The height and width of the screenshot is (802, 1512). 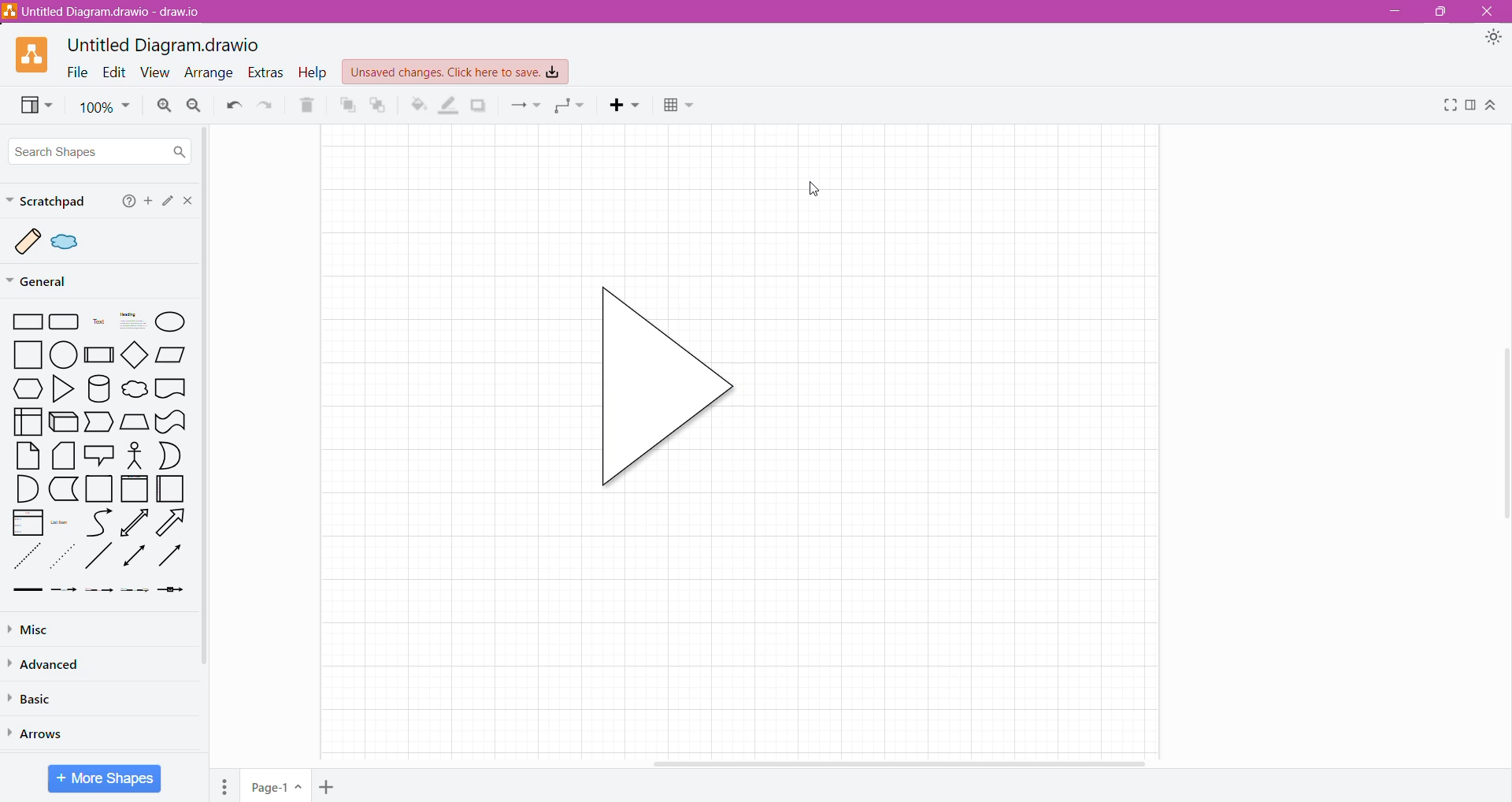 What do you see at coordinates (164, 106) in the screenshot?
I see `Zoom In` at bounding box center [164, 106].